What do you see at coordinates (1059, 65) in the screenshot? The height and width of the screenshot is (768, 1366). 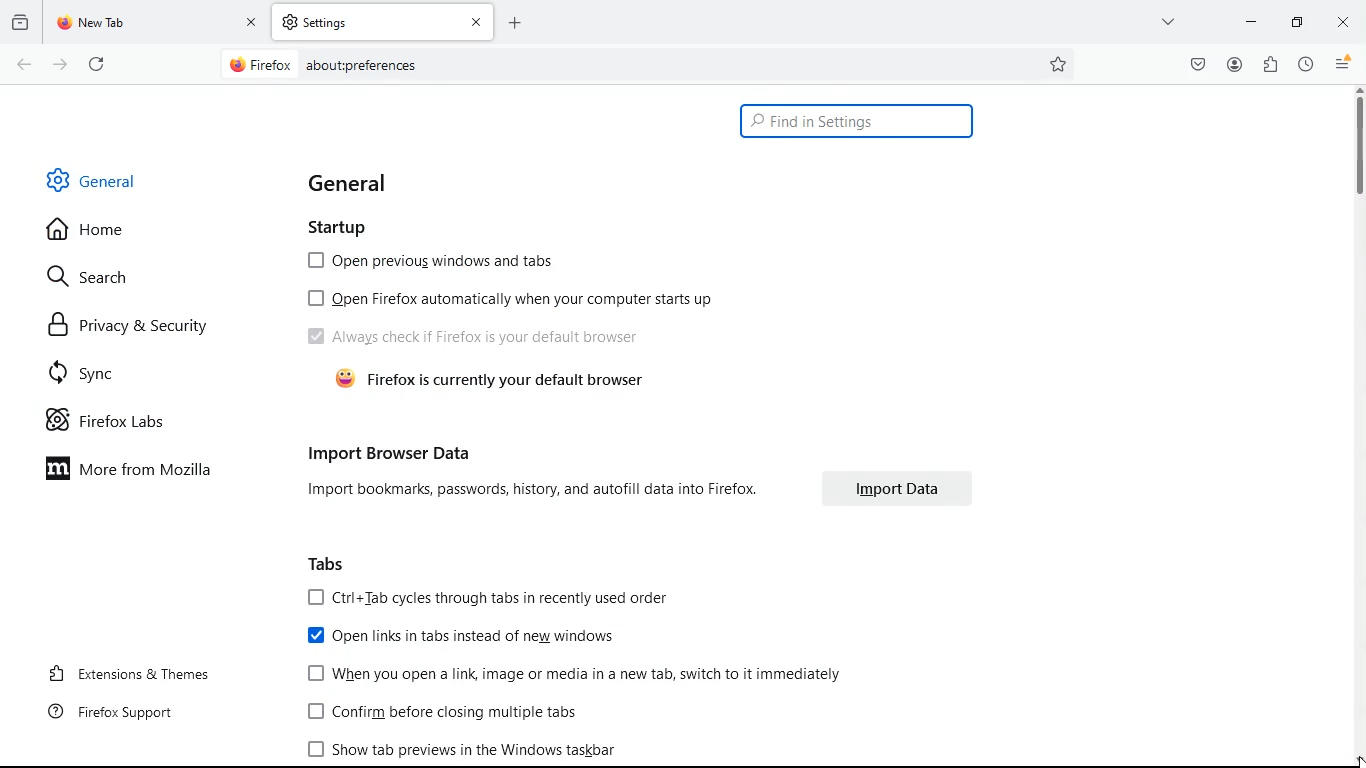 I see `favorite` at bounding box center [1059, 65].